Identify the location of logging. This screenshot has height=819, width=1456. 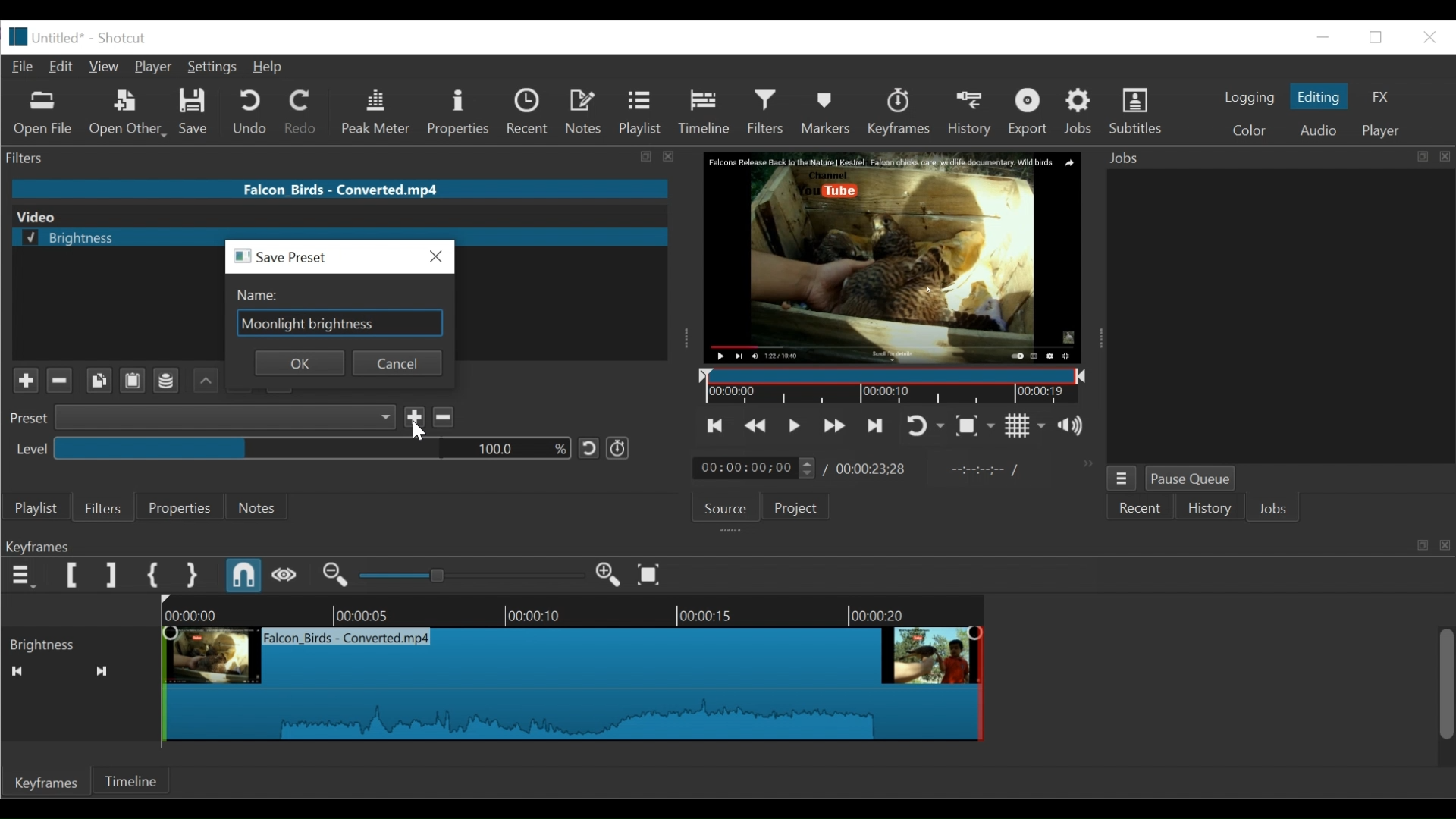
(1248, 99).